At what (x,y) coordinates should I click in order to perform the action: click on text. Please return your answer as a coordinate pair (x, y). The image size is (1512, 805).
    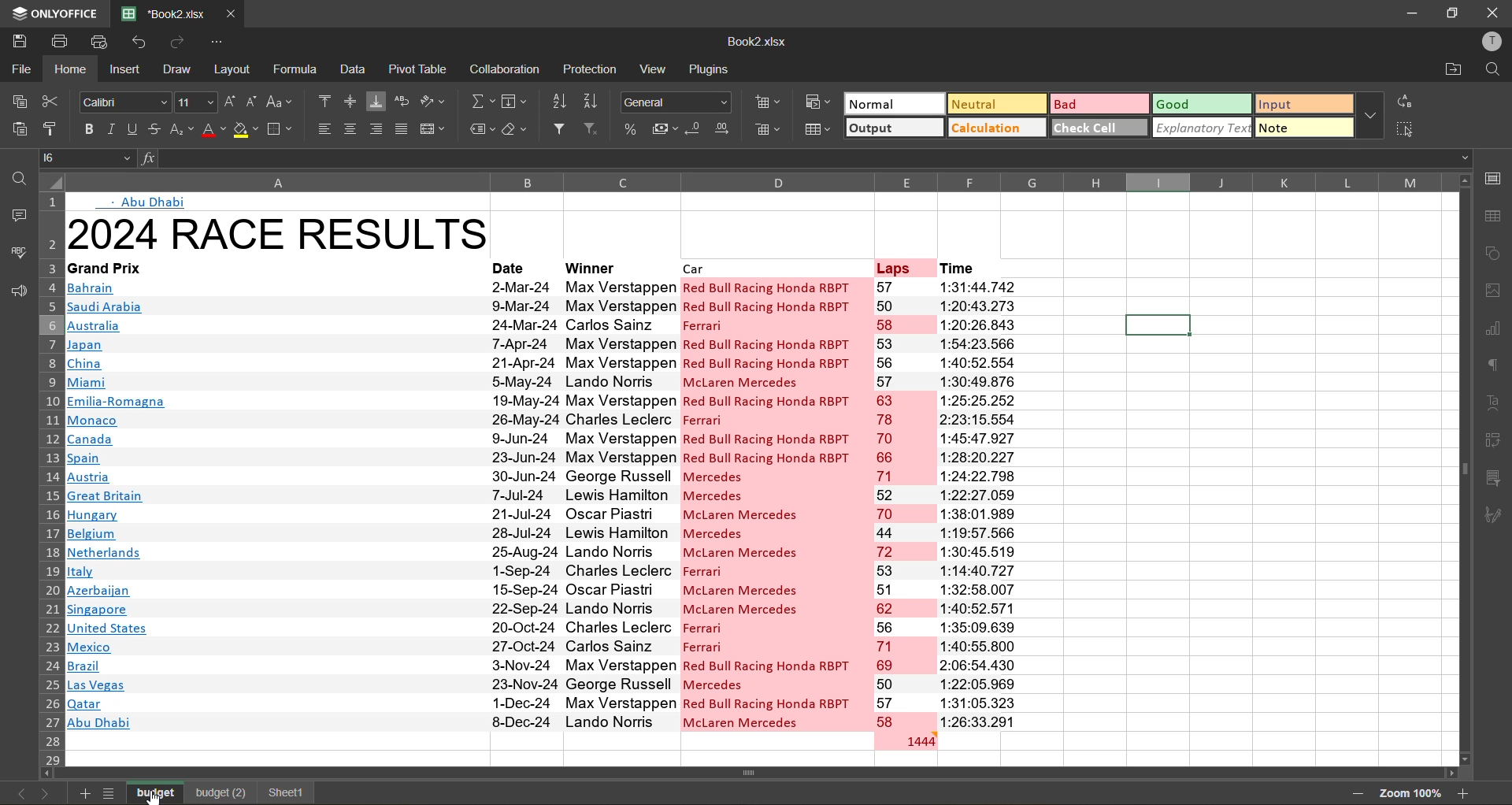
    Looking at the image, I should click on (147, 202).